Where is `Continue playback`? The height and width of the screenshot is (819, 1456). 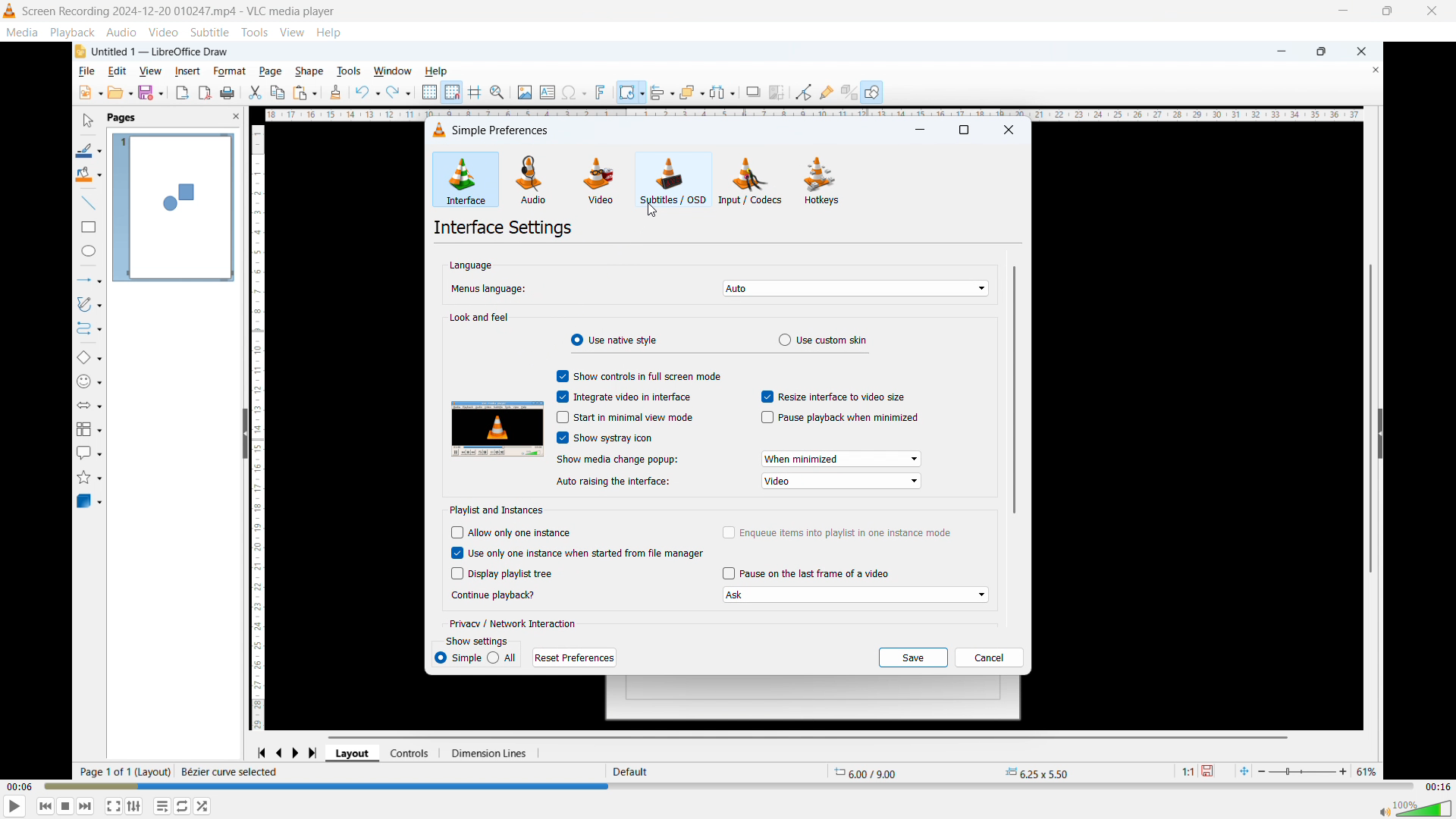 Continue playback is located at coordinates (494, 595).